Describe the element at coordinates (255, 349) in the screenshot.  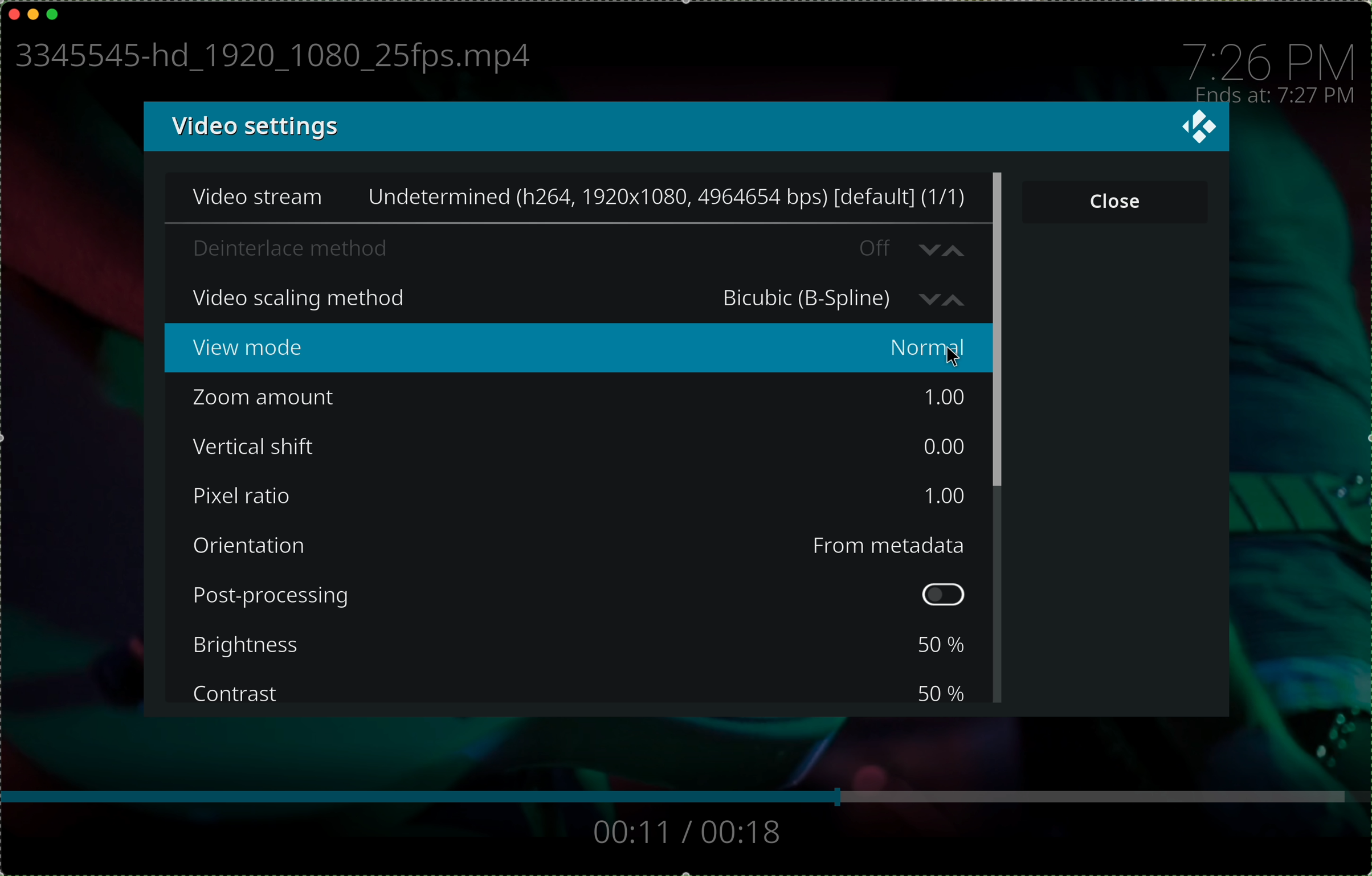
I see `view mode` at that location.